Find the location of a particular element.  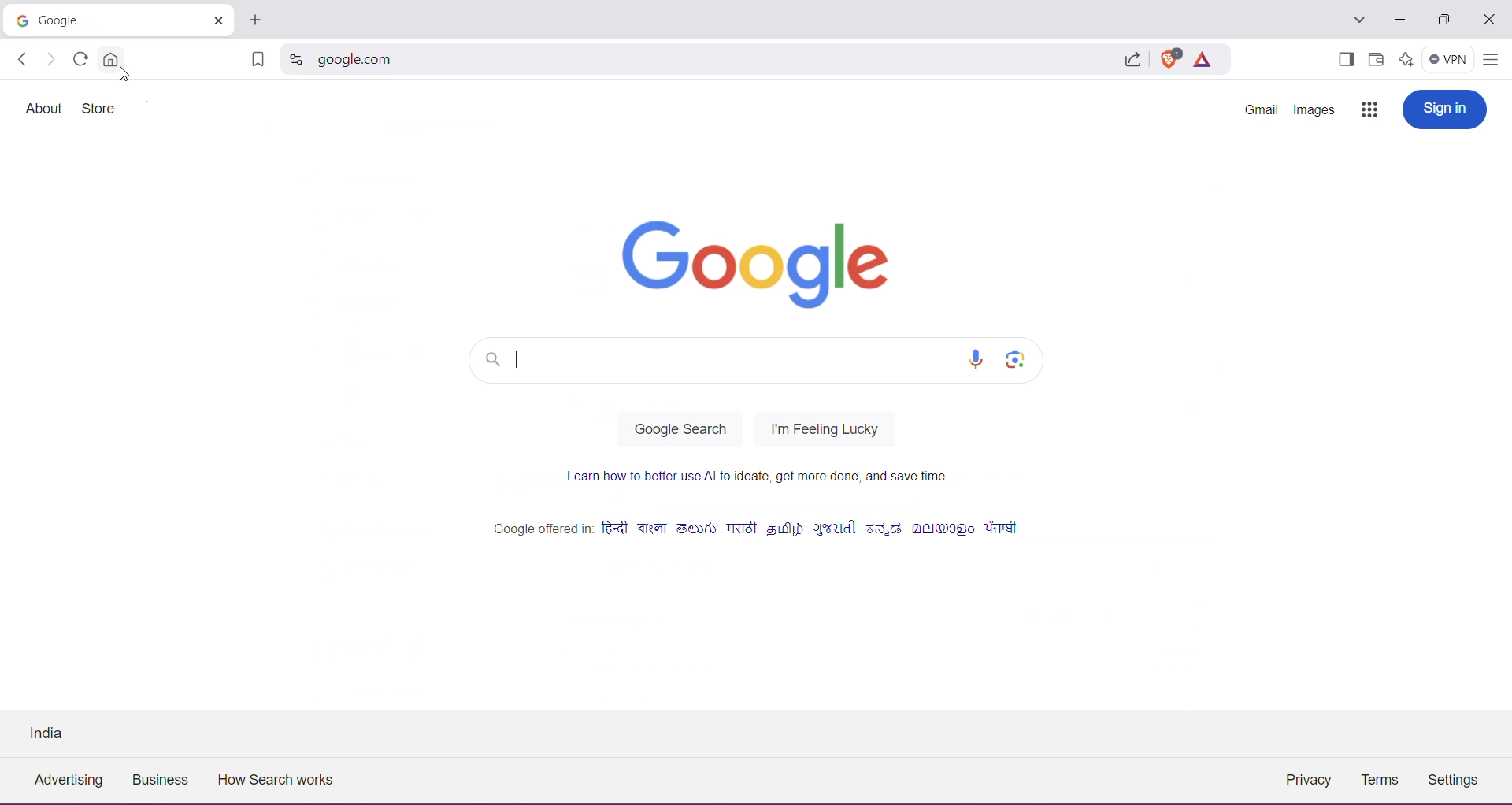

Images is located at coordinates (1314, 110).